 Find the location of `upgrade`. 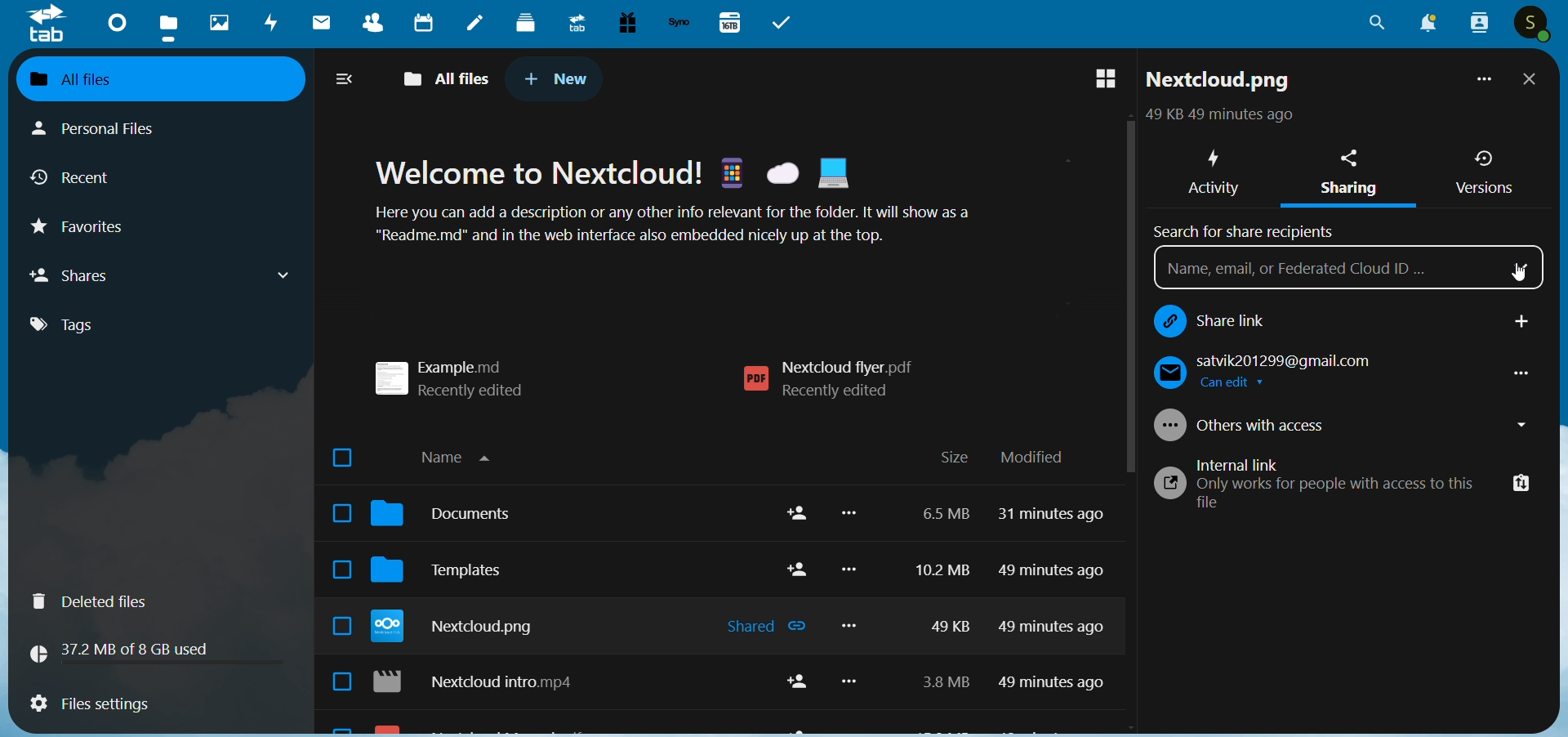

upgrade is located at coordinates (574, 22).